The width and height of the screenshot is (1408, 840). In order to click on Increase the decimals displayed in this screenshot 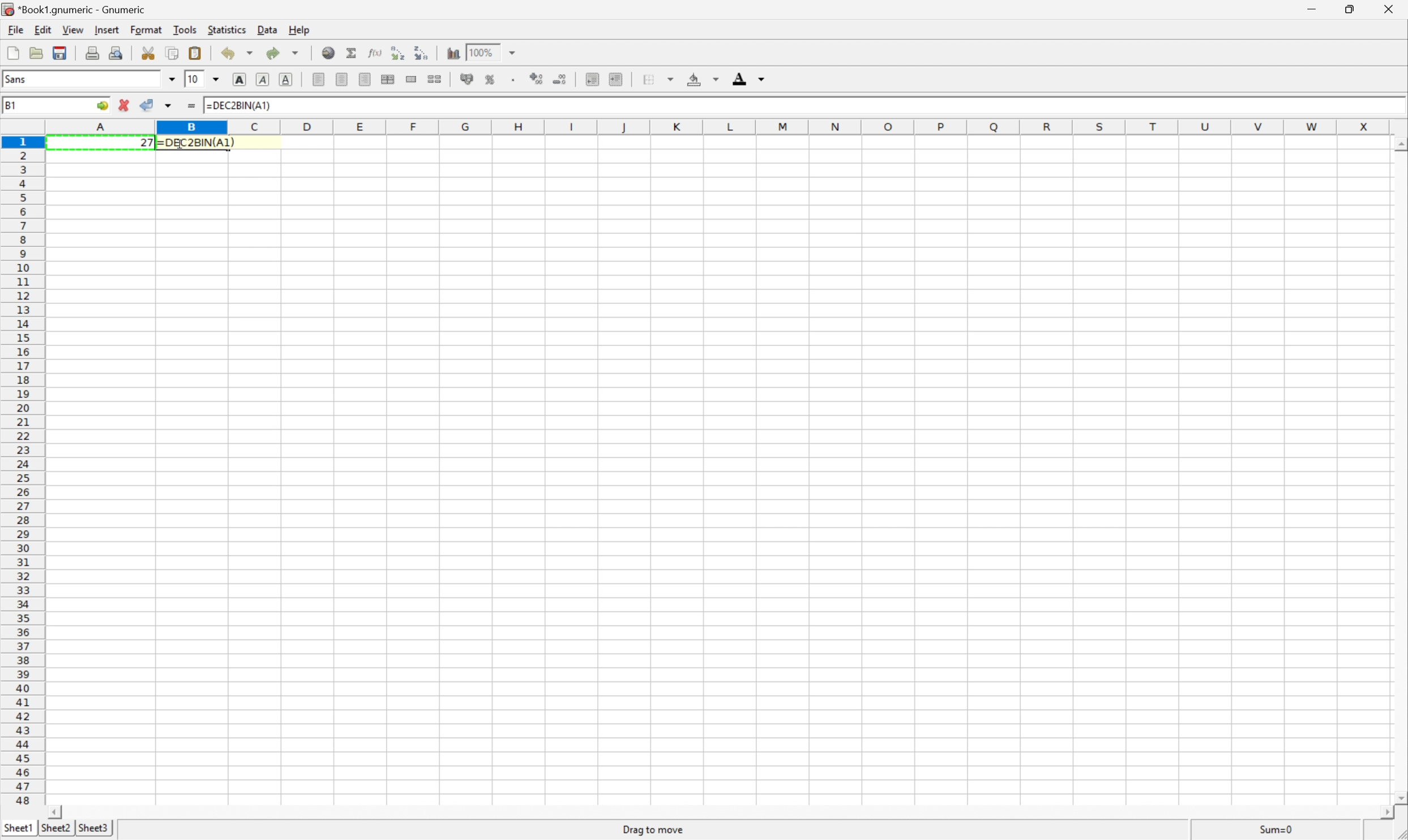, I will do `click(537, 77)`.